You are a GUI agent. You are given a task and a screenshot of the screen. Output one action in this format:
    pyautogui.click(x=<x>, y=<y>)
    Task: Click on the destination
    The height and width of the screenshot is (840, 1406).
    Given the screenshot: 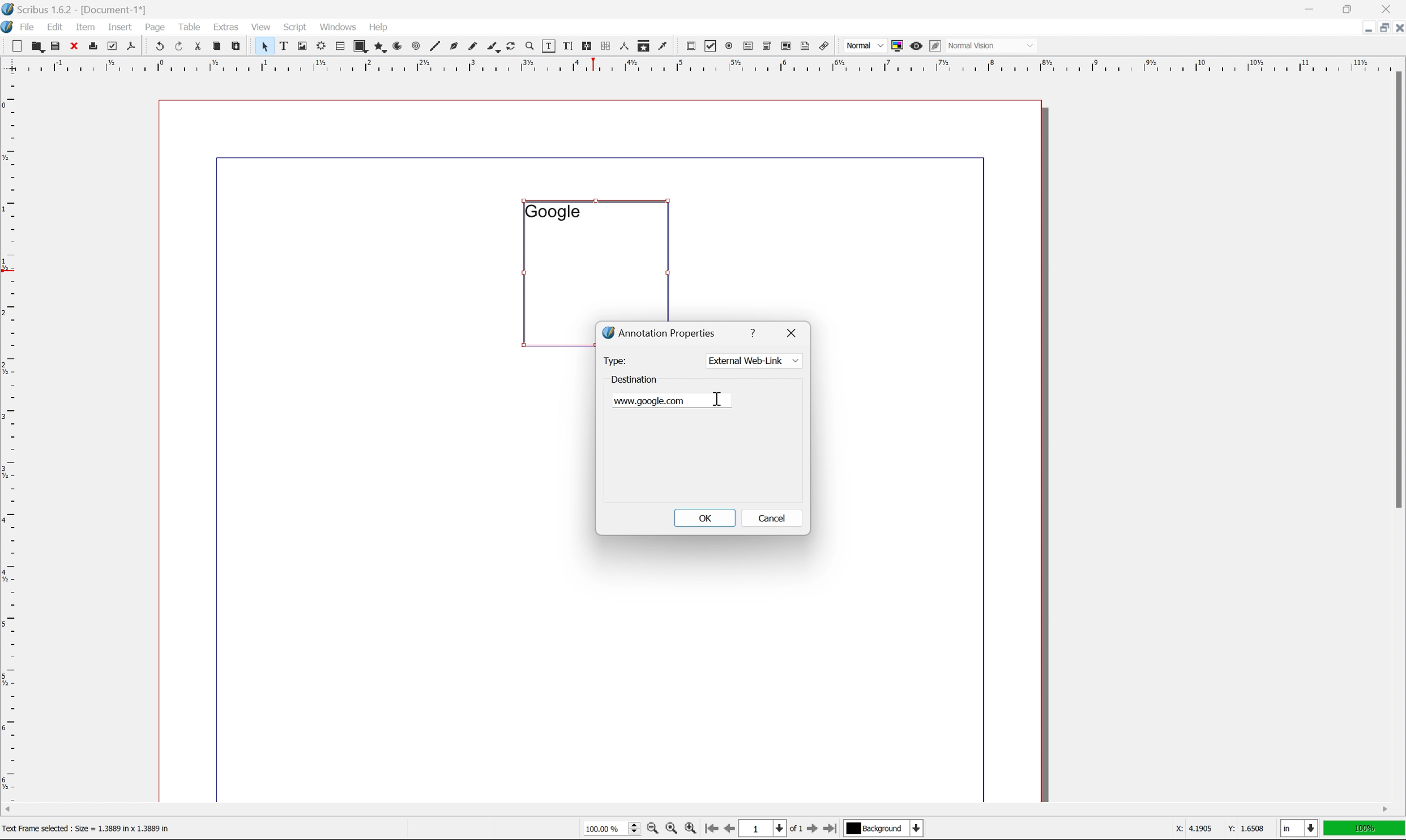 What is the action you would take?
    pyautogui.click(x=635, y=378)
    